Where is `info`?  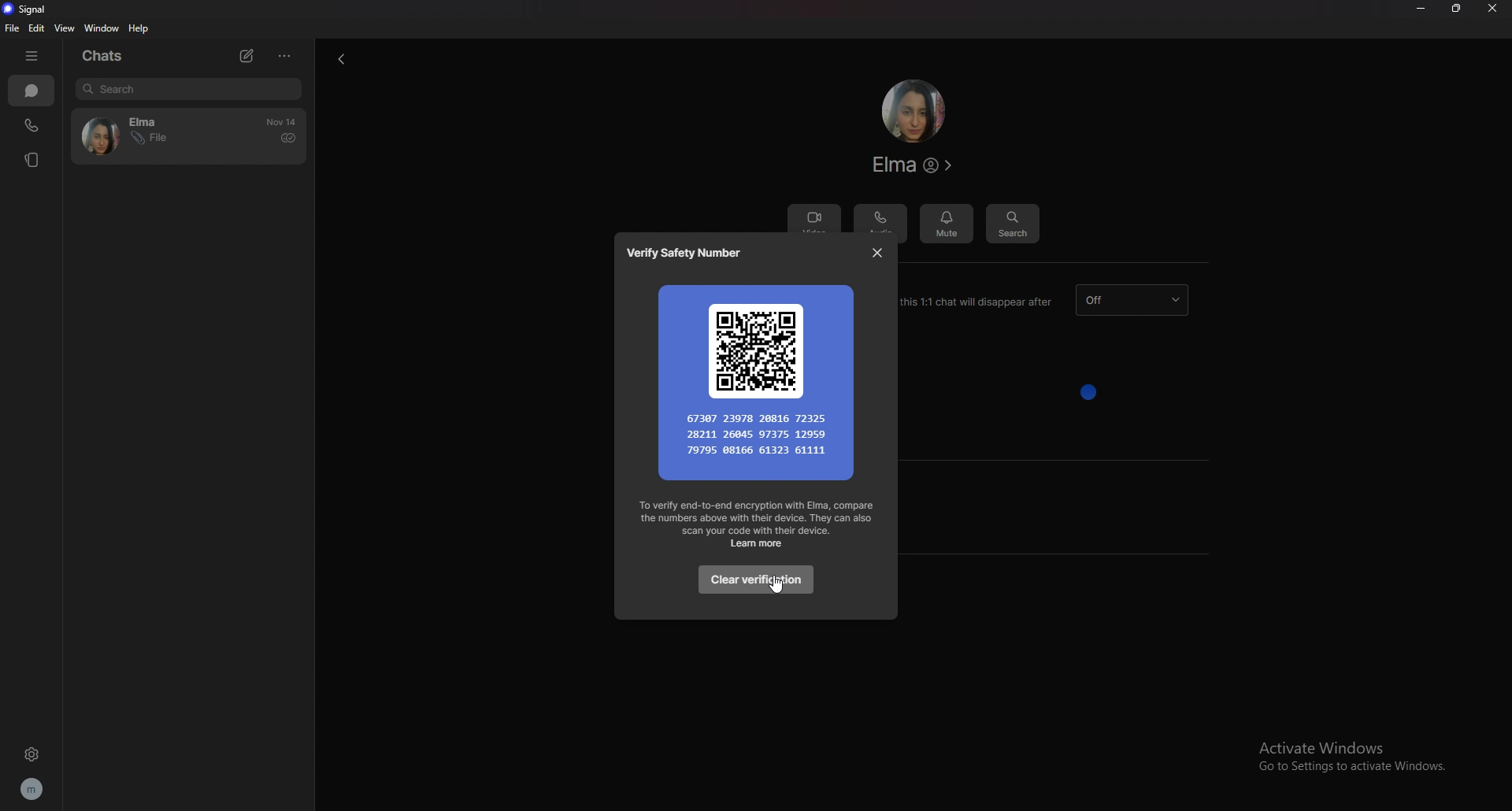 info is located at coordinates (758, 524).